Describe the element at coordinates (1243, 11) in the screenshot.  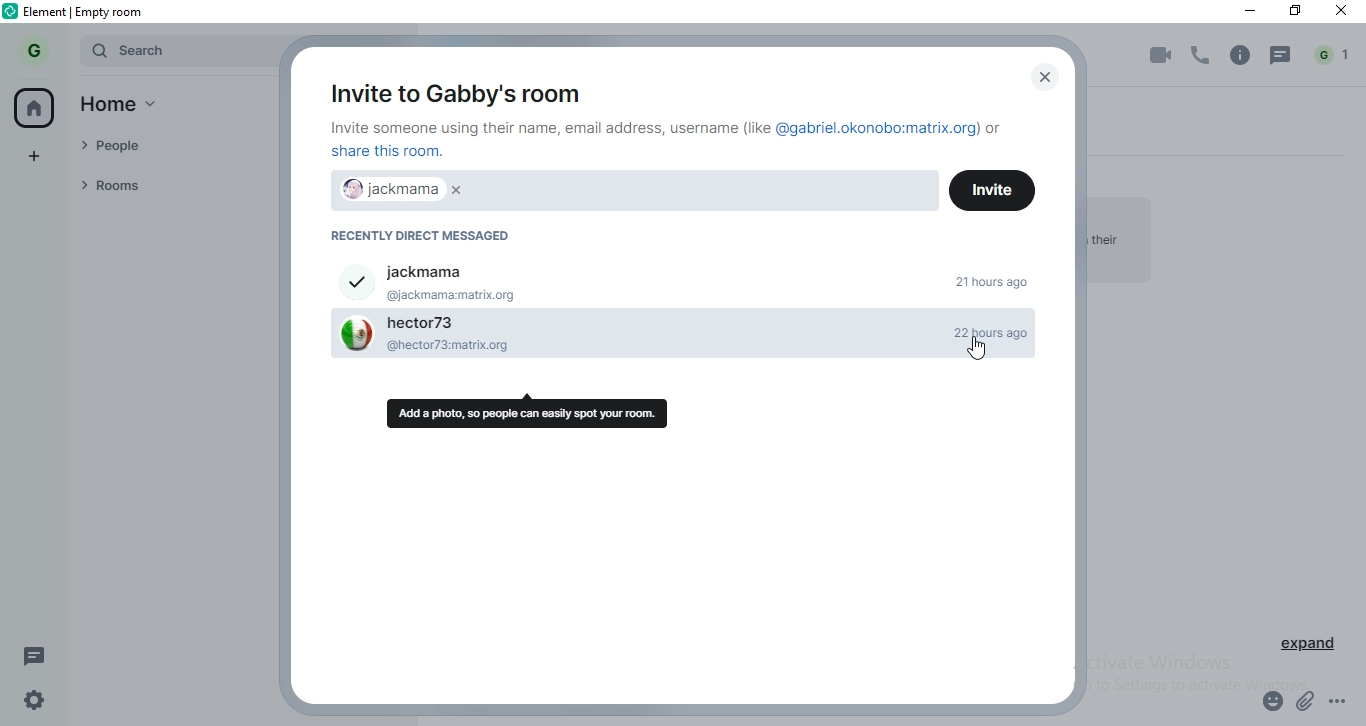
I see `minimise` at that location.